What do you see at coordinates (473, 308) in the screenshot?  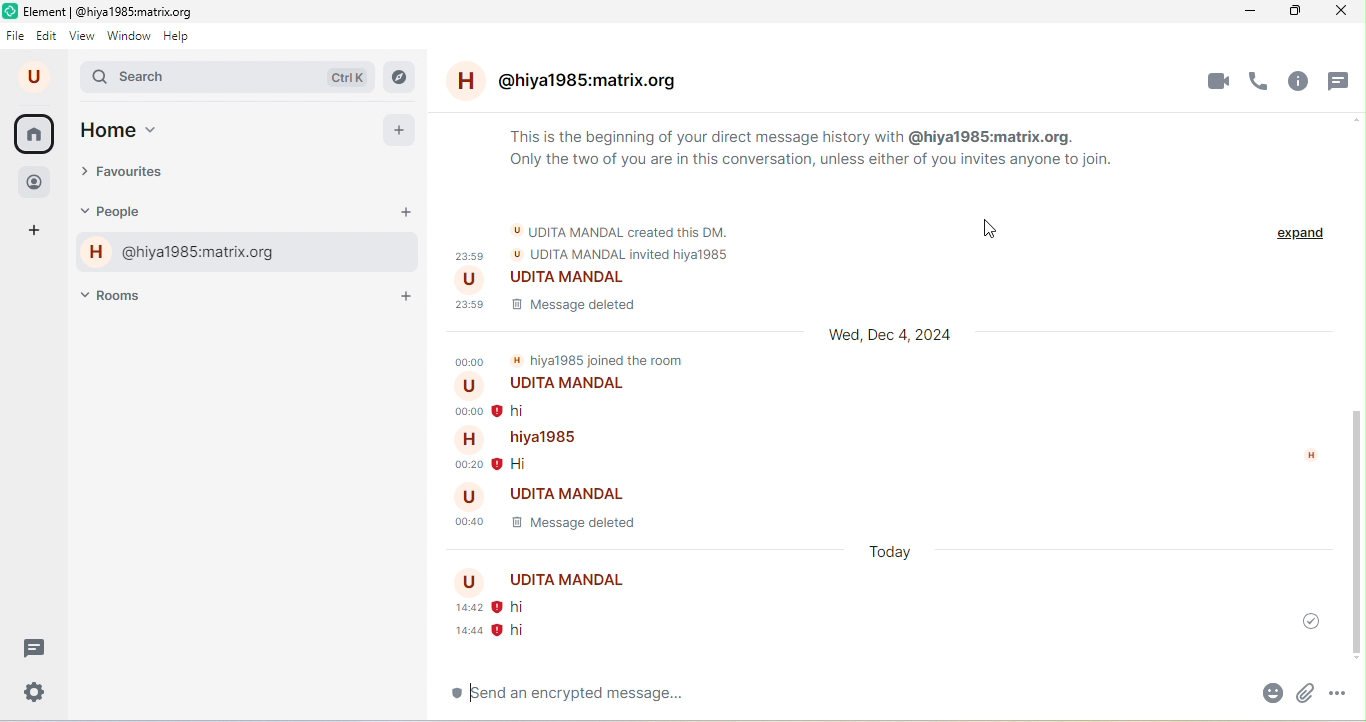 I see `23.59` at bounding box center [473, 308].